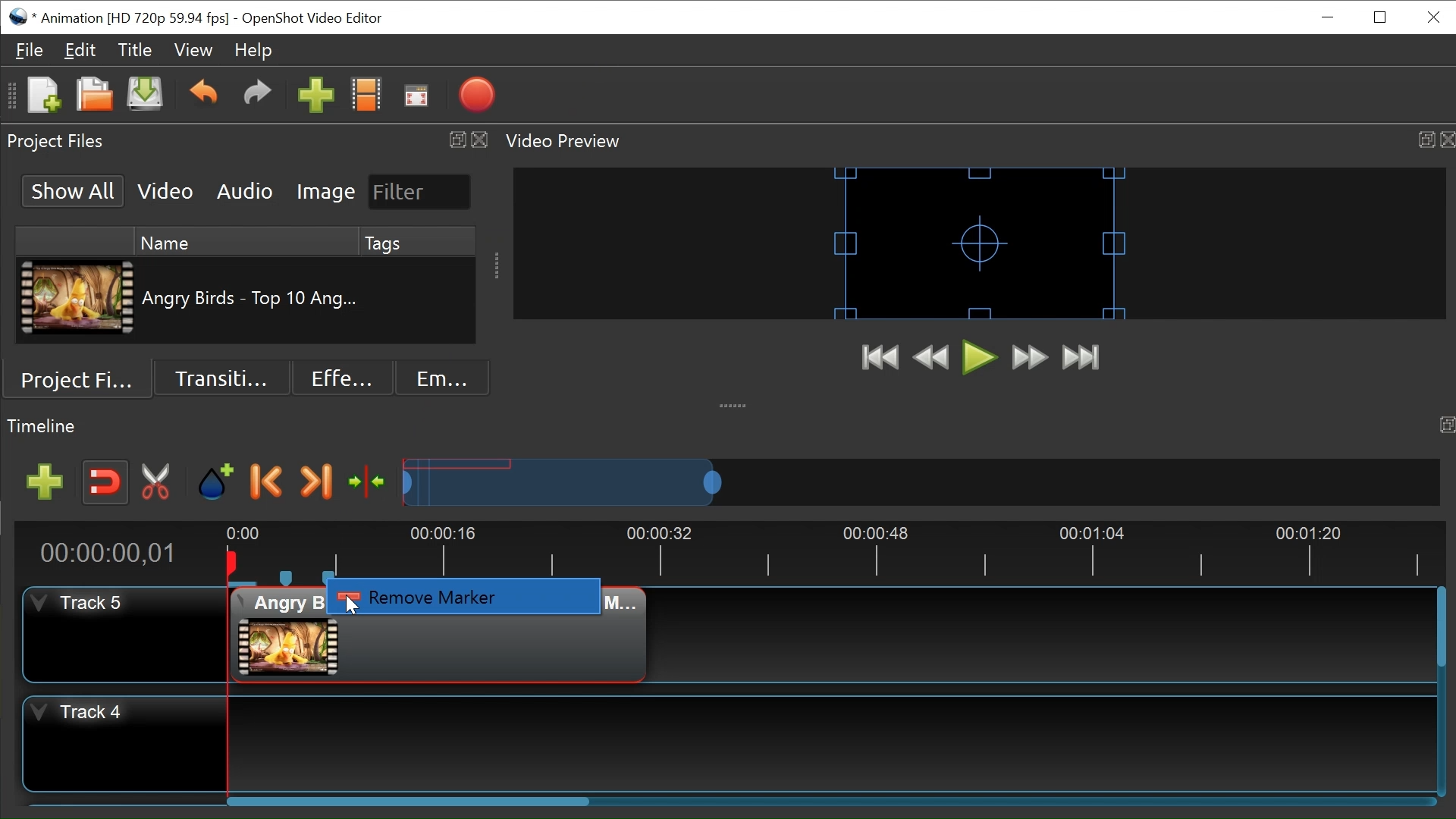  What do you see at coordinates (407, 802) in the screenshot?
I see `Horizontal Scroll bar` at bounding box center [407, 802].